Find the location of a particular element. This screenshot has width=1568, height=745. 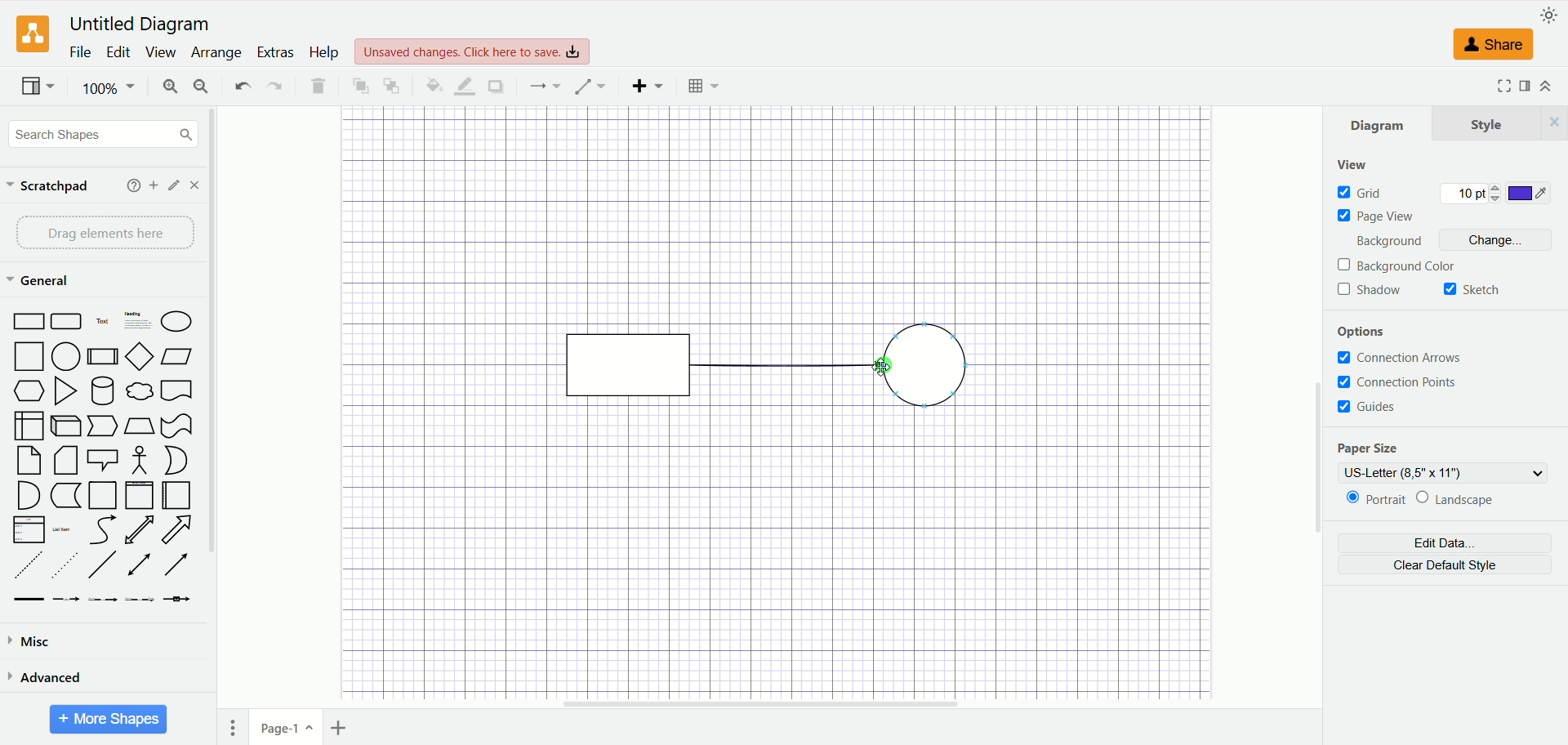

search shapes is located at coordinates (100, 134).